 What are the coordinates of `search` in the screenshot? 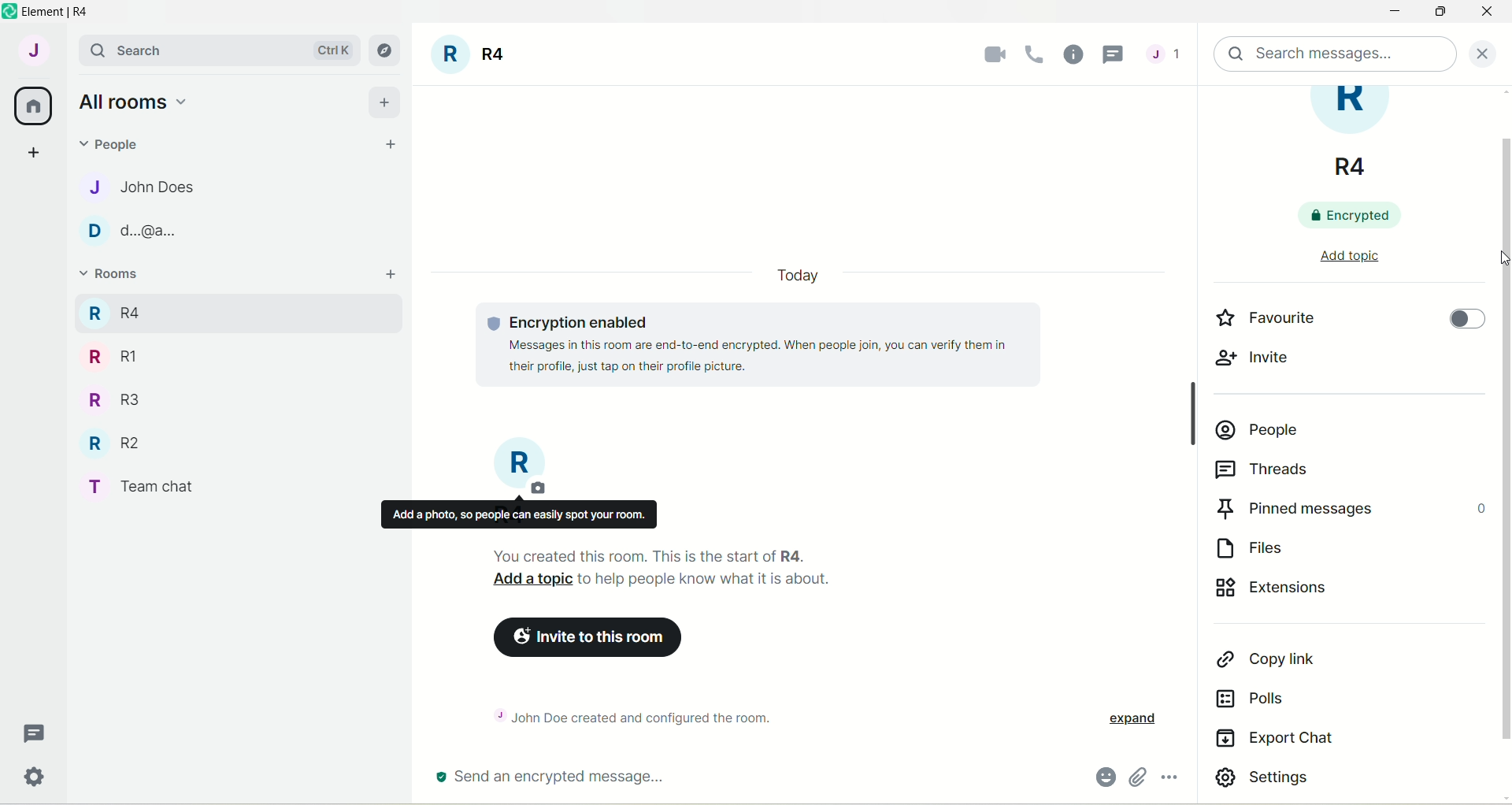 It's located at (130, 50).